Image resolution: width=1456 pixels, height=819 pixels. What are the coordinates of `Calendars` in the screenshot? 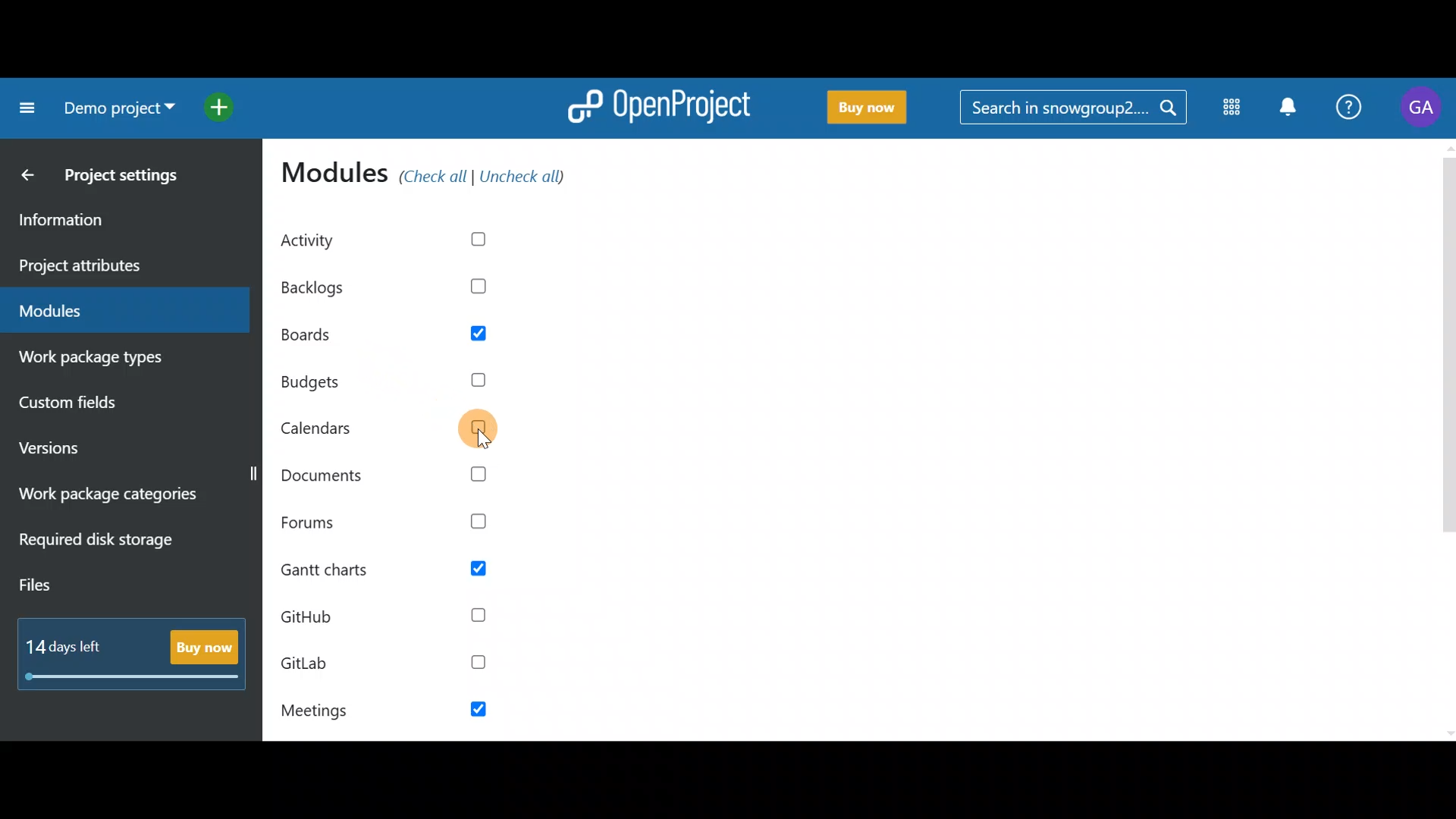 It's located at (388, 430).